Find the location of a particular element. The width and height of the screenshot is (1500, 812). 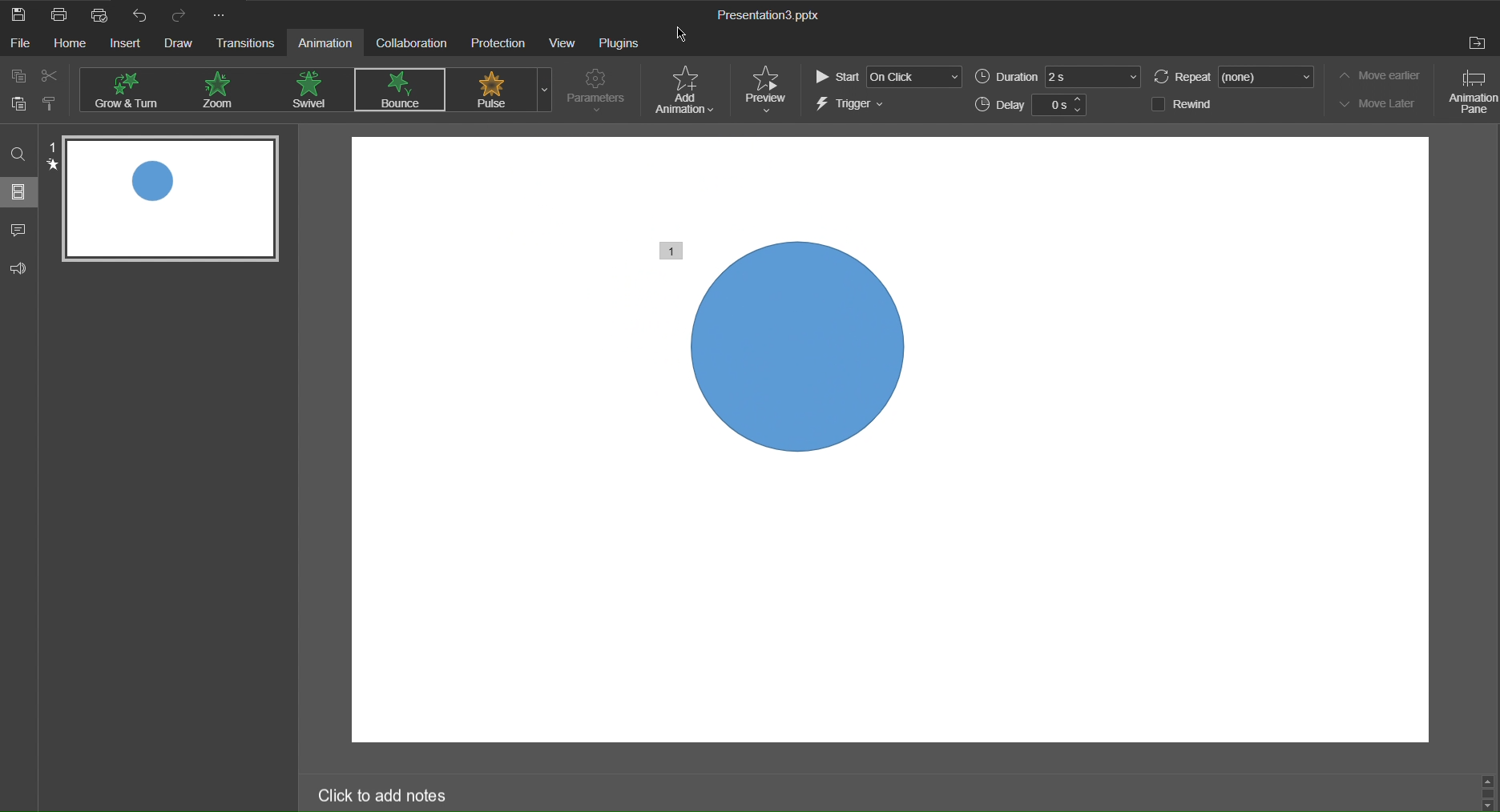

Animations is located at coordinates (222, 90).